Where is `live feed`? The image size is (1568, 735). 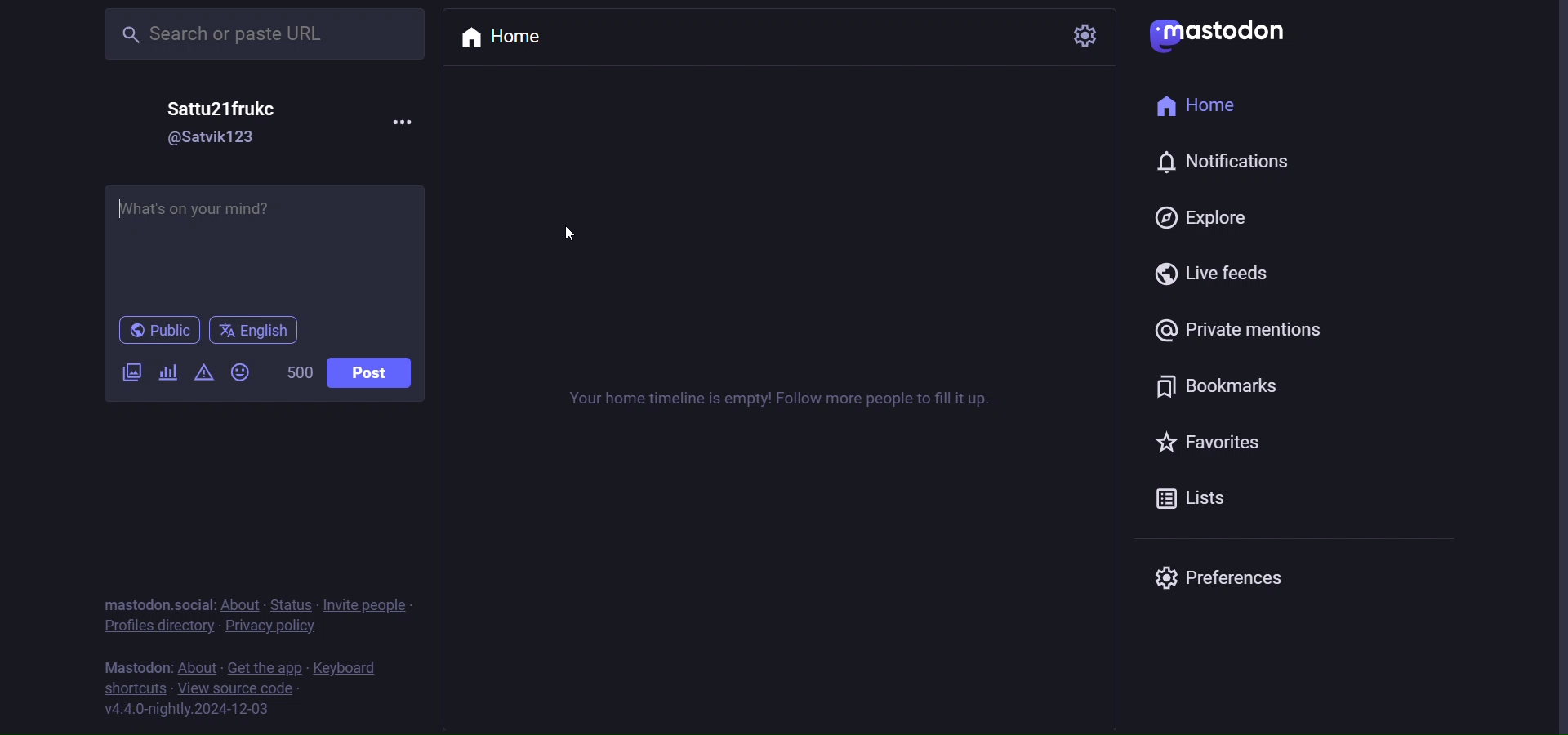
live feed is located at coordinates (1218, 274).